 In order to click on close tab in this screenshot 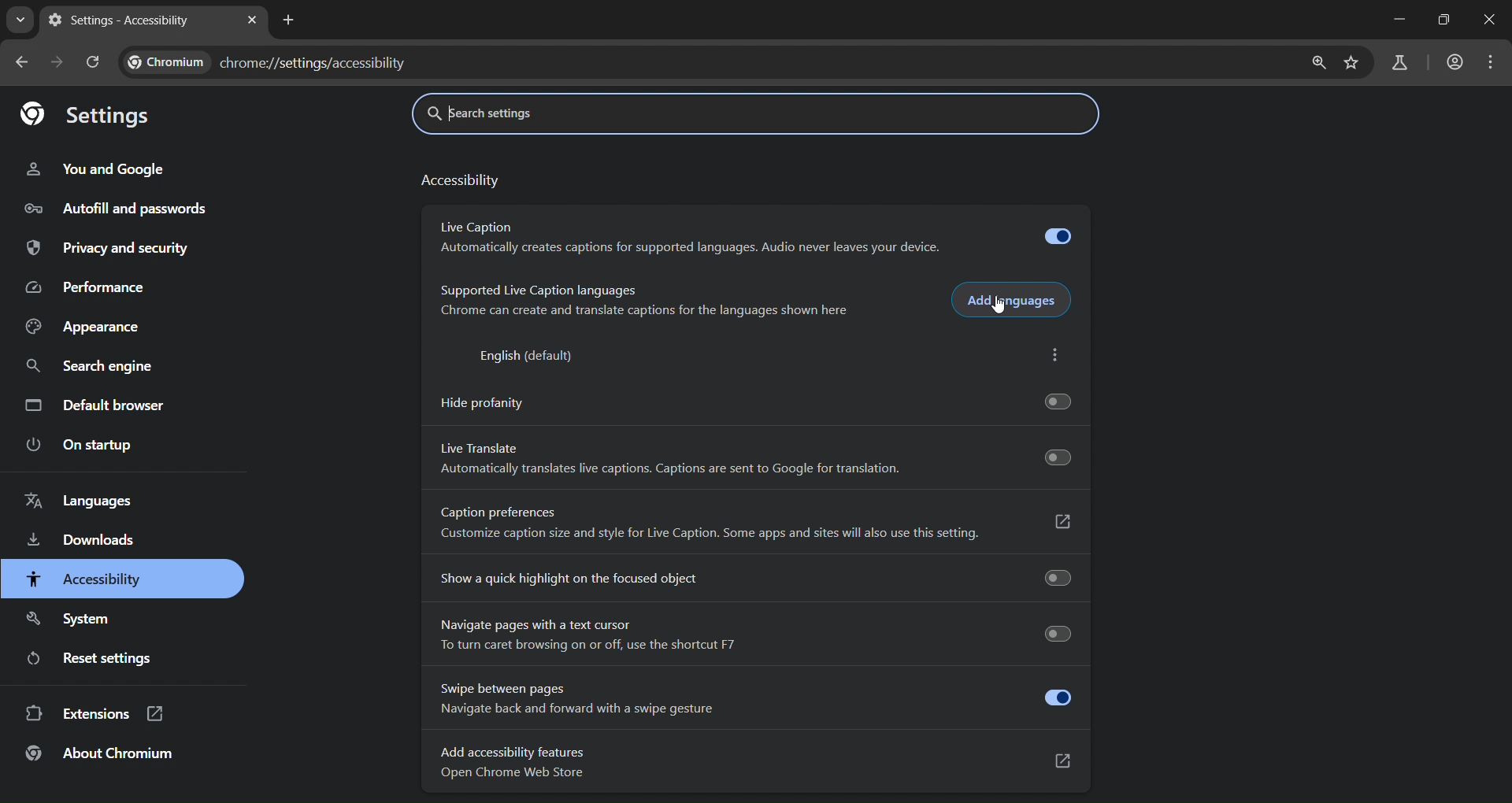, I will do `click(252, 21)`.